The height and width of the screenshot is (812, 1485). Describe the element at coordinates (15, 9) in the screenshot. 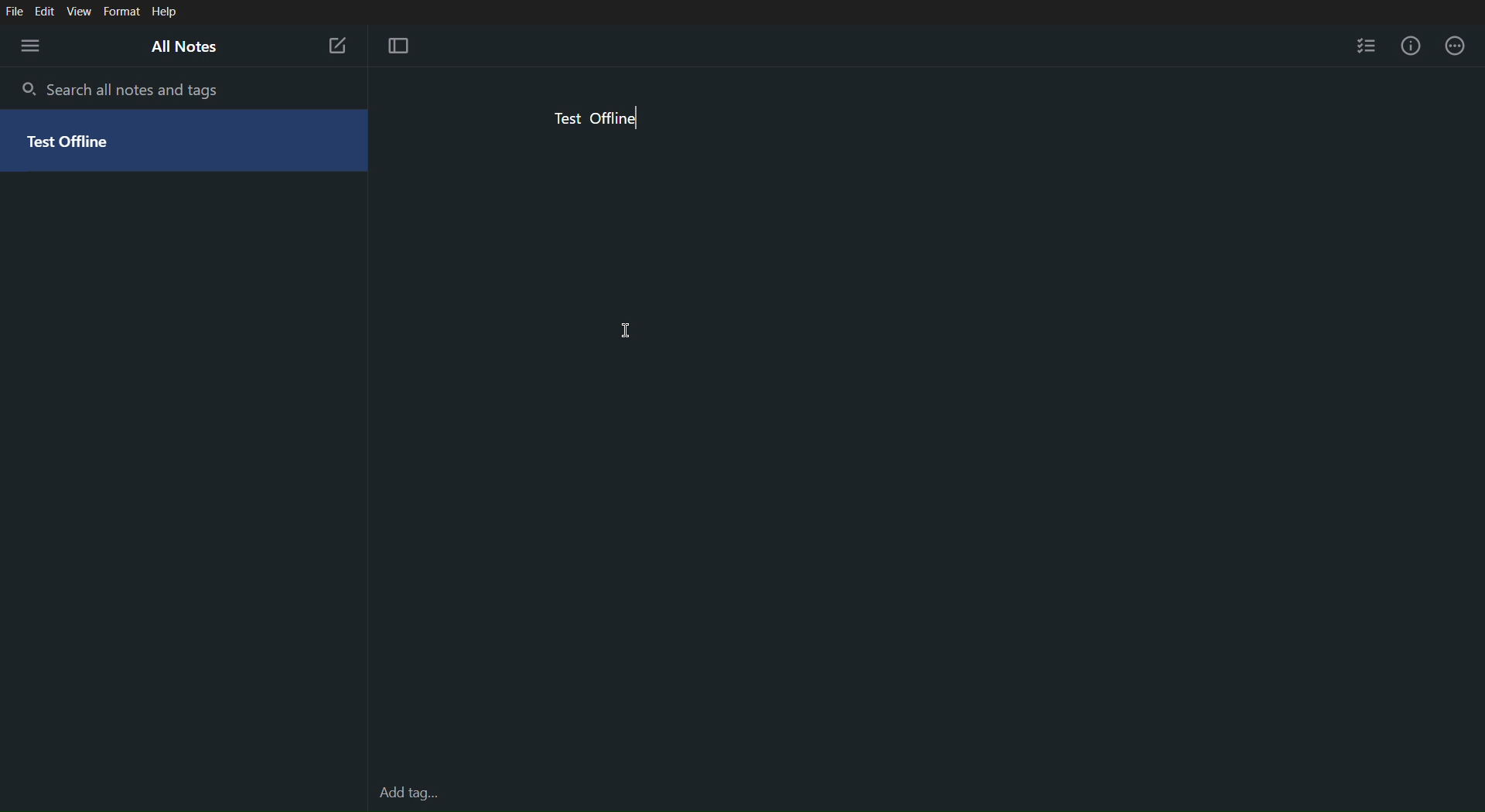

I see `File` at that location.